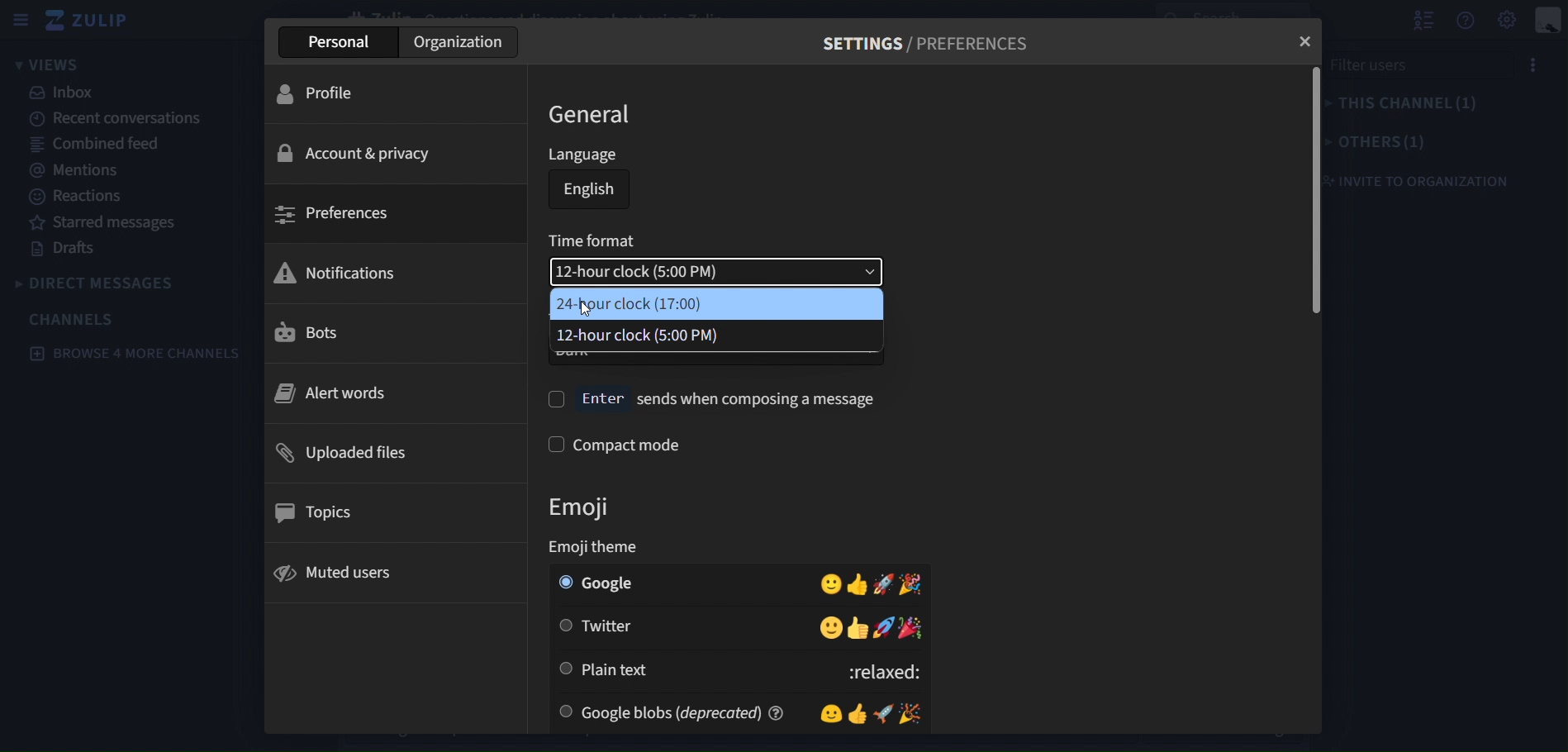 The height and width of the screenshot is (752, 1568). Describe the element at coordinates (390, 273) in the screenshot. I see `notifications` at that location.